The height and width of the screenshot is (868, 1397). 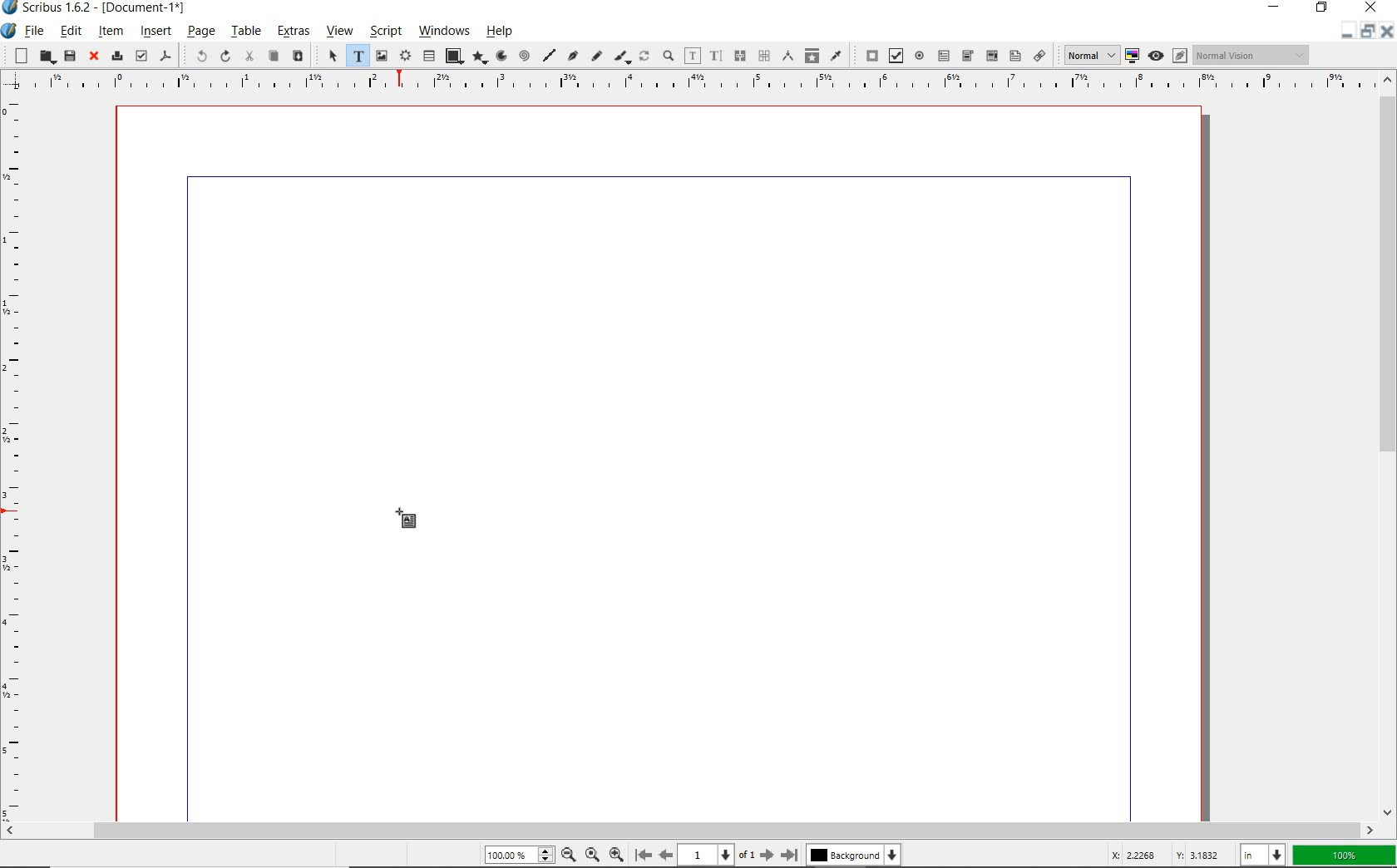 What do you see at coordinates (69, 56) in the screenshot?
I see `save` at bounding box center [69, 56].